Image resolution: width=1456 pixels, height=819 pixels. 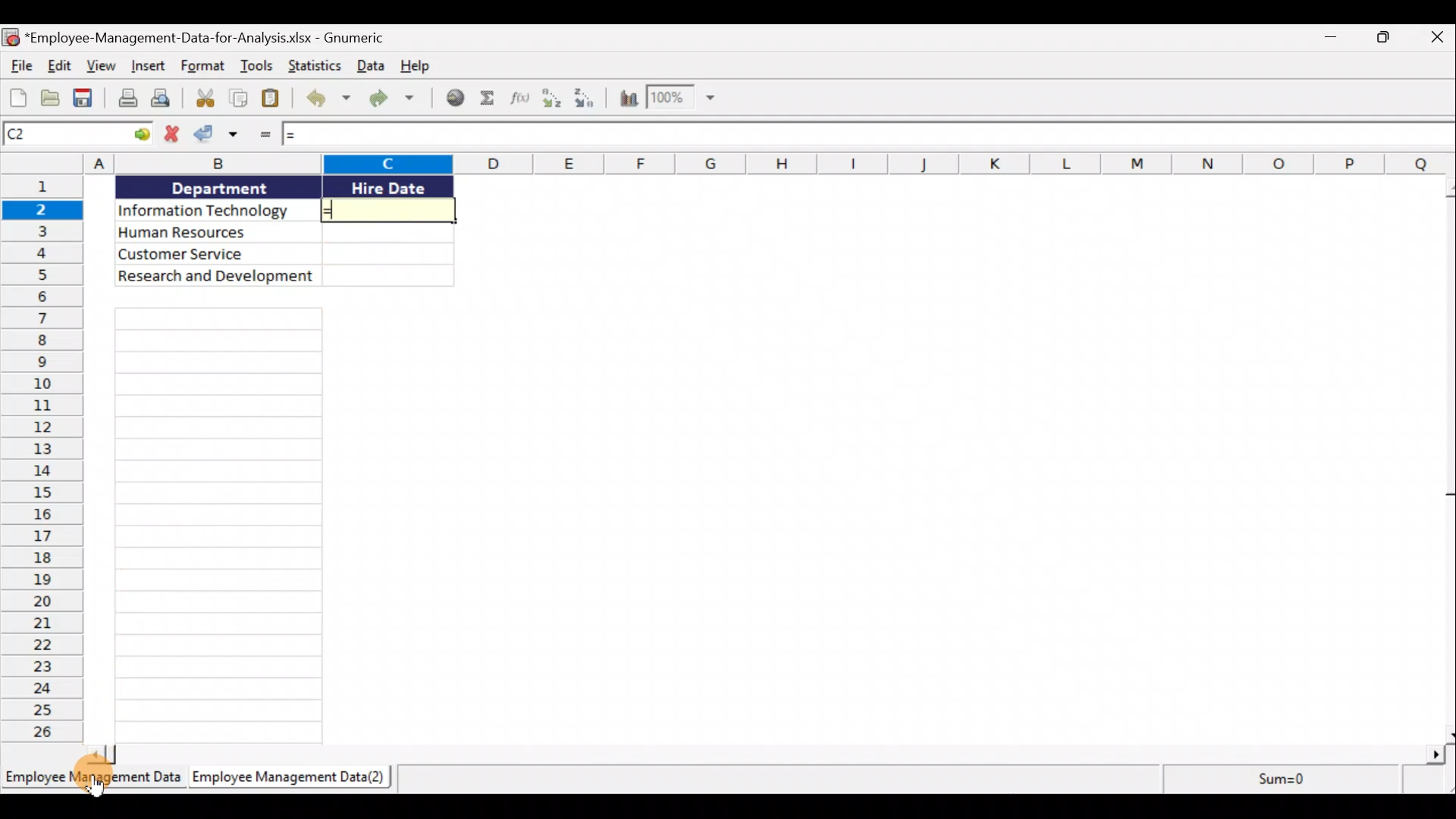 What do you see at coordinates (149, 68) in the screenshot?
I see `Insert` at bounding box center [149, 68].